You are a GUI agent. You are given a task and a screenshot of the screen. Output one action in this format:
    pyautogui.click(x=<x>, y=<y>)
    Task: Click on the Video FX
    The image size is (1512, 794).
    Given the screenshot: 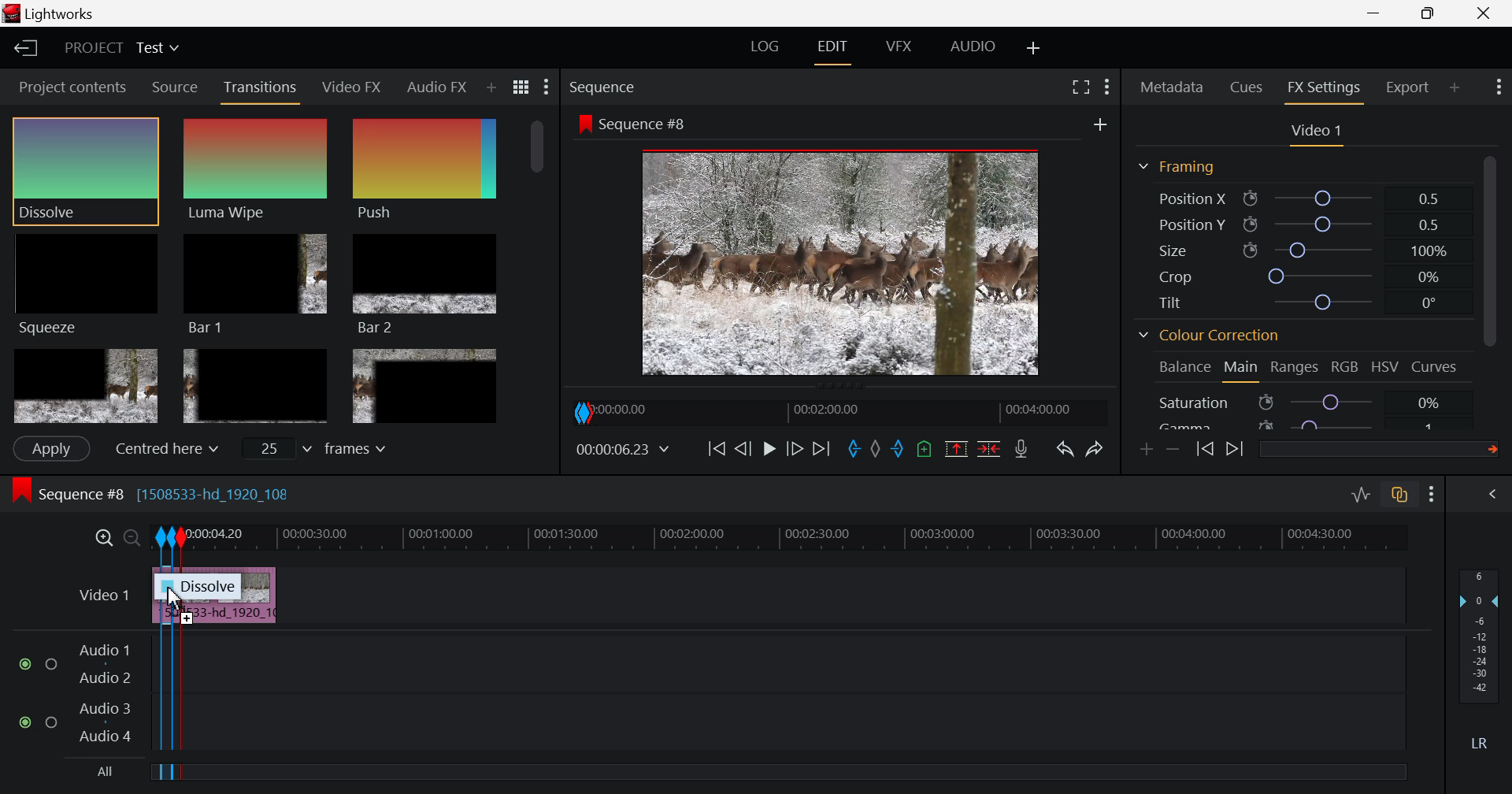 What is the action you would take?
    pyautogui.click(x=353, y=86)
    